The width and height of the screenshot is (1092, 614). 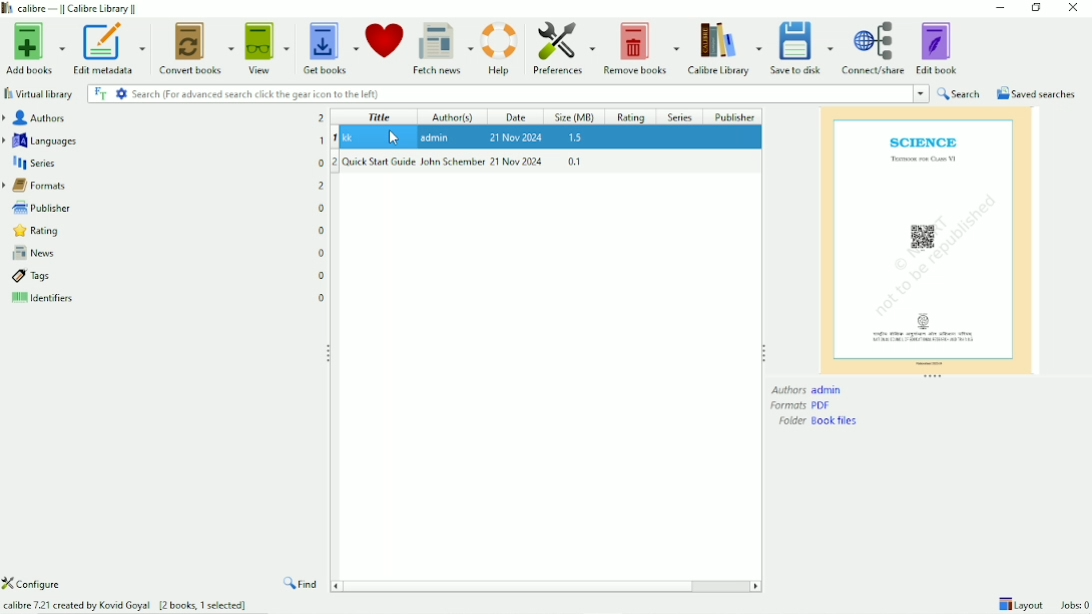 What do you see at coordinates (322, 118) in the screenshot?
I see `2` at bounding box center [322, 118].